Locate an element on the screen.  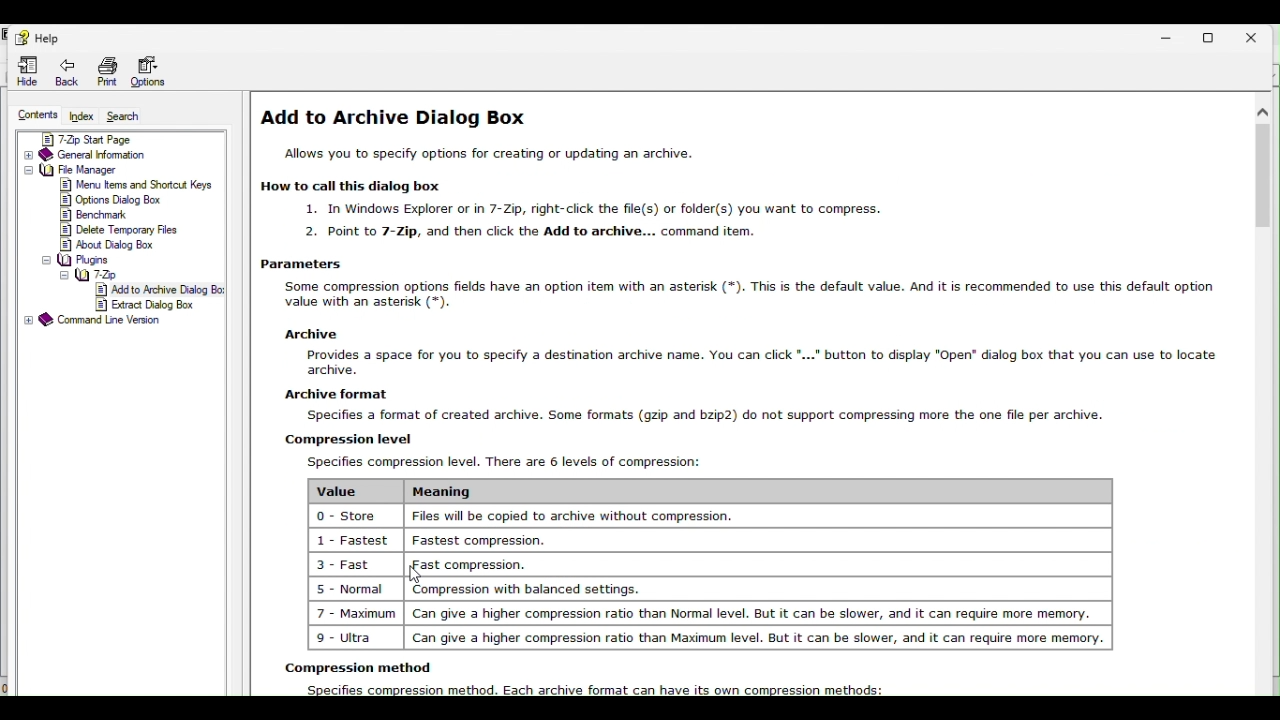
Command line version  is located at coordinates (104, 320).